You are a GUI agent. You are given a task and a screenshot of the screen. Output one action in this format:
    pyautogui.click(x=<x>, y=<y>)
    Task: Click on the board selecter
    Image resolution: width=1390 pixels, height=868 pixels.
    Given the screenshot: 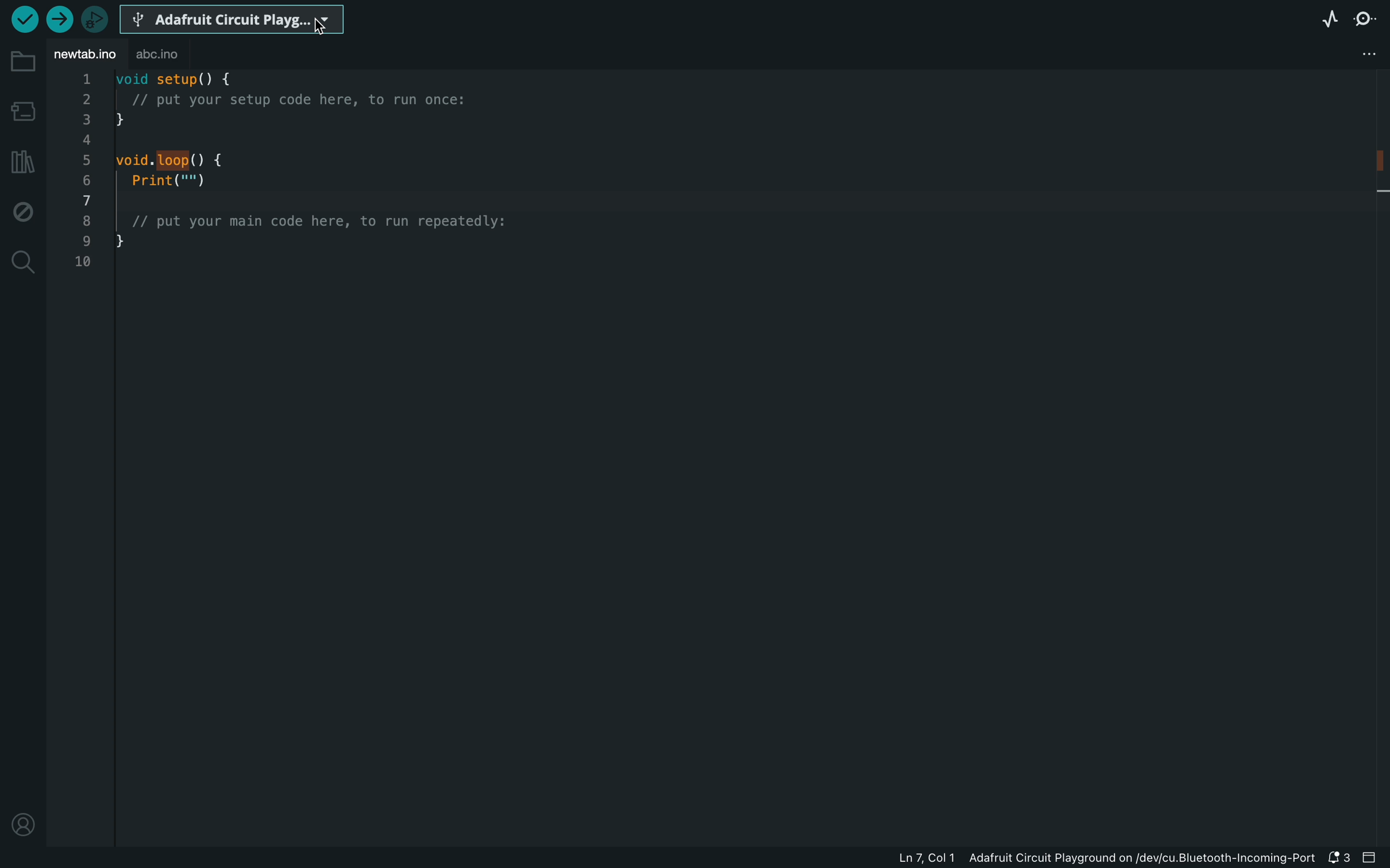 What is the action you would take?
    pyautogui.click(x=233, y=20)
    